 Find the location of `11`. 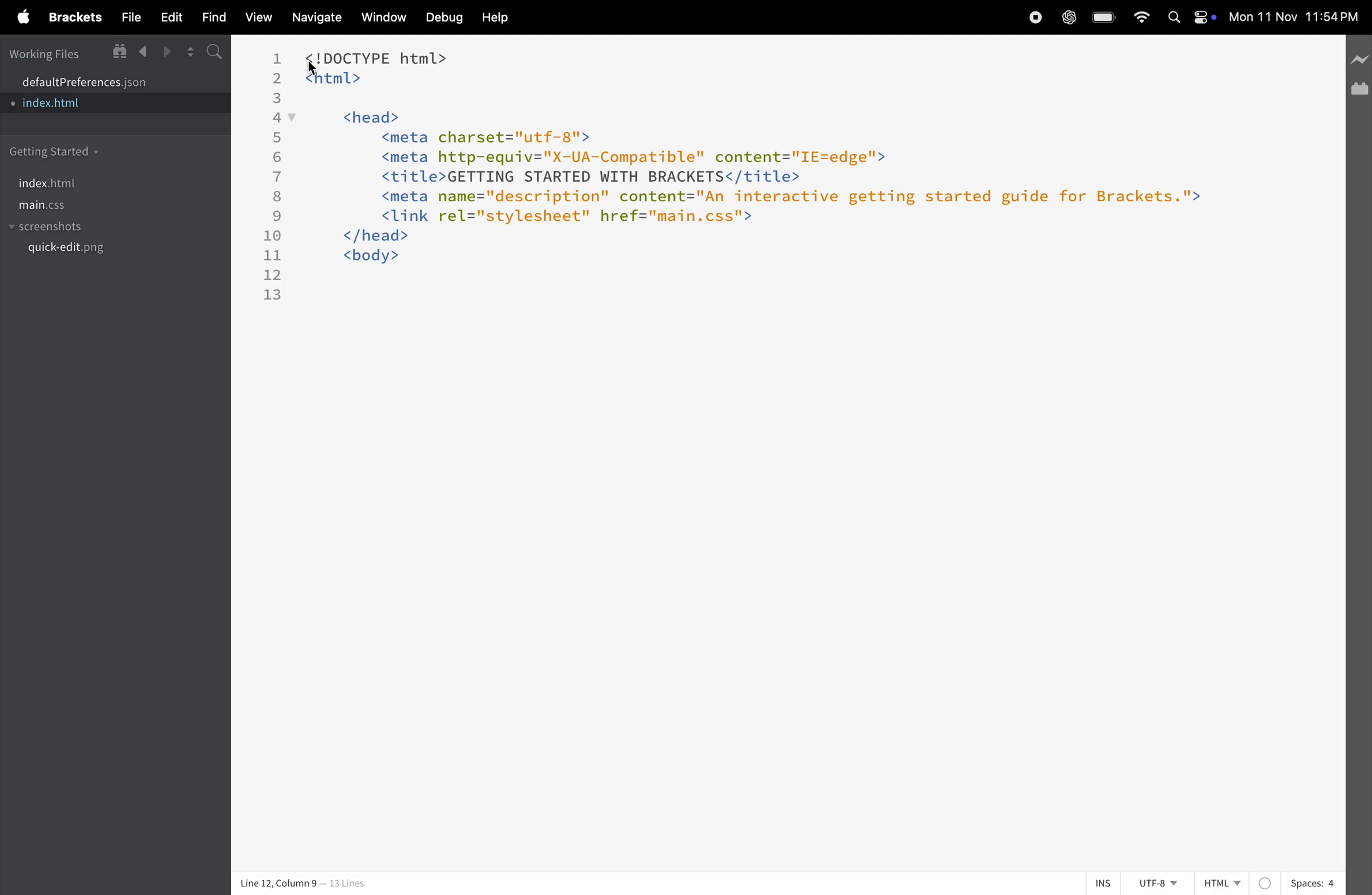

11 is located at coordinates (272, 255).